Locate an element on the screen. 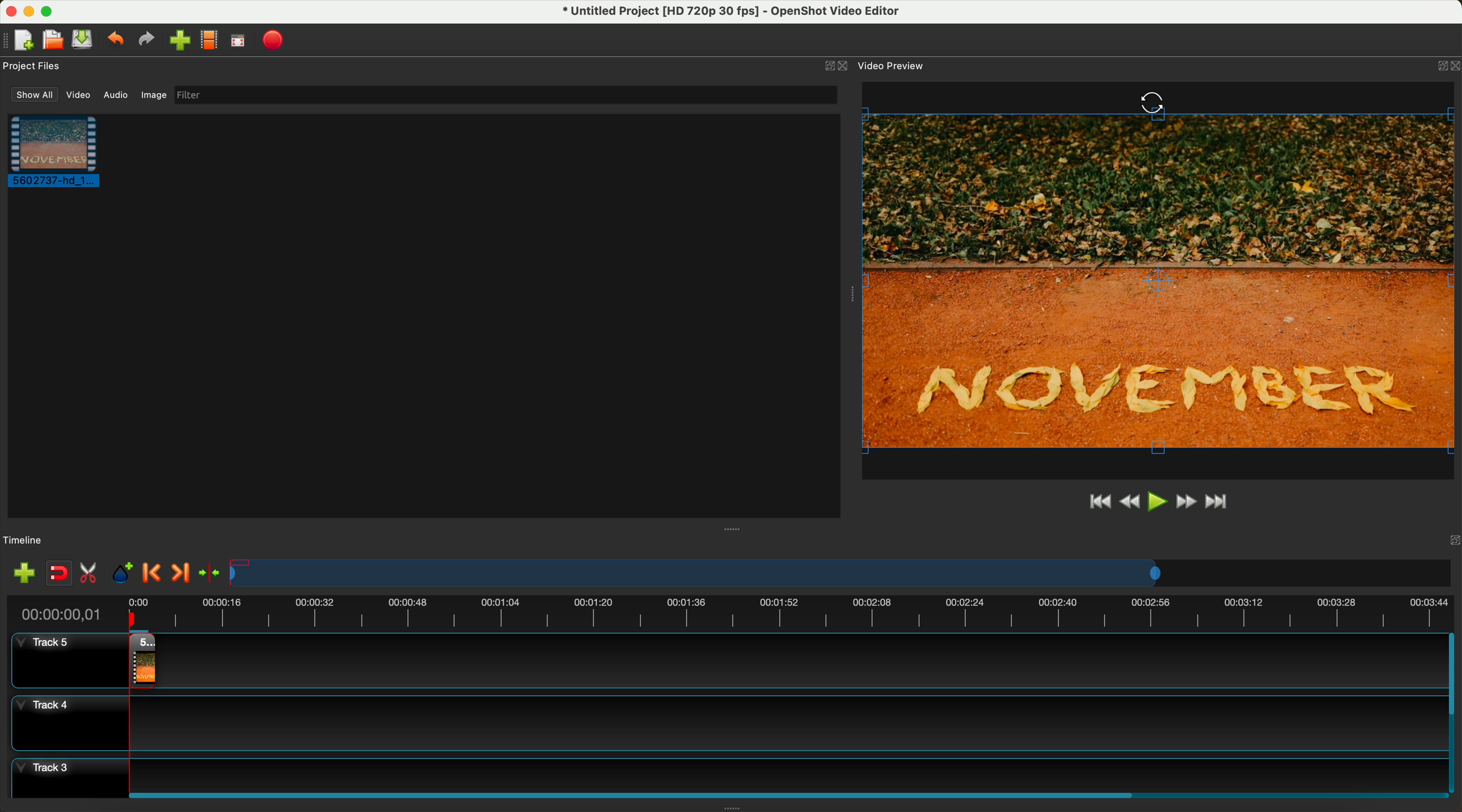  add track is located at coordinates (24, 573).